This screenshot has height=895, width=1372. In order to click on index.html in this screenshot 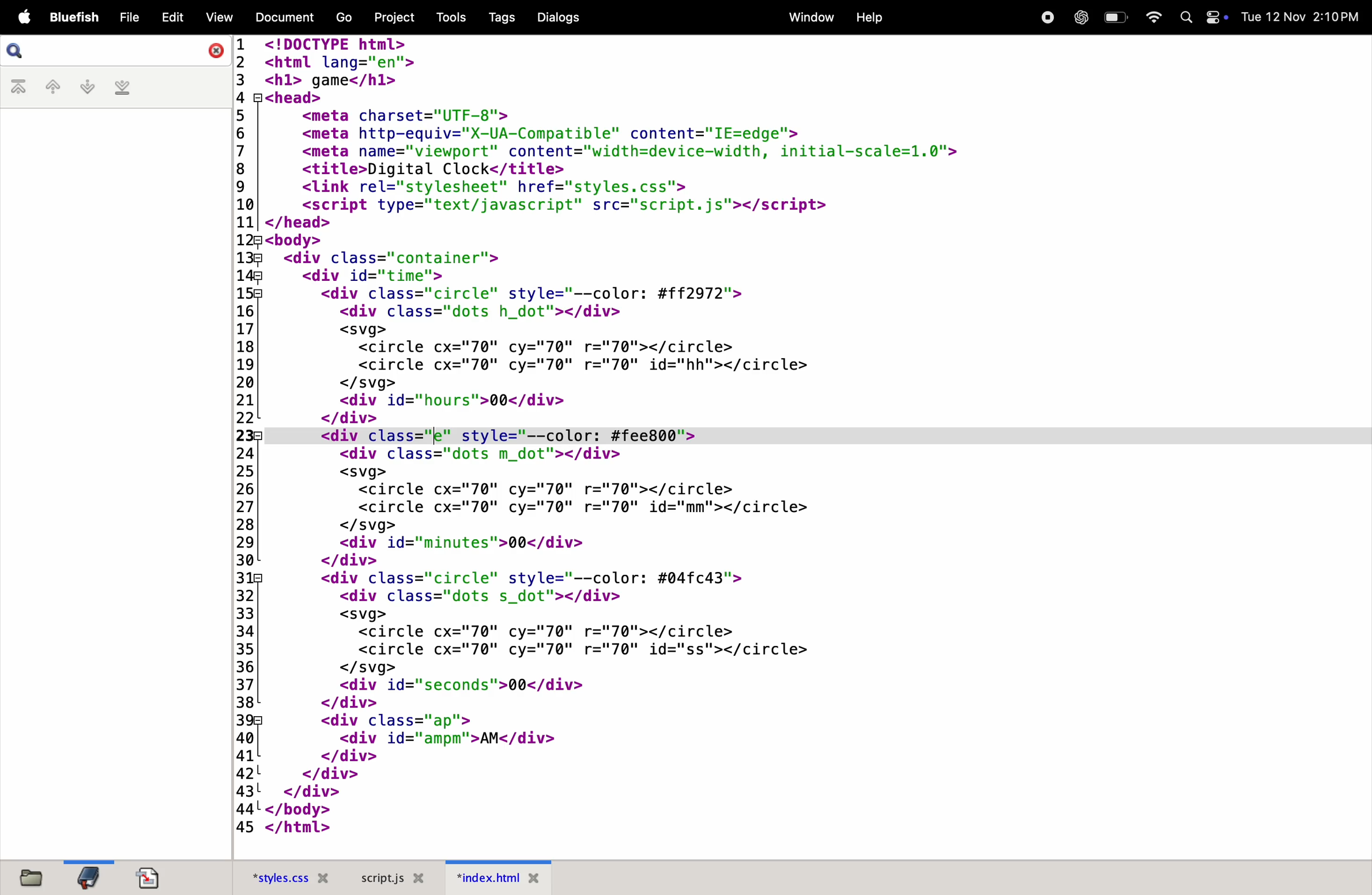, I will do `click(496, 878)`.